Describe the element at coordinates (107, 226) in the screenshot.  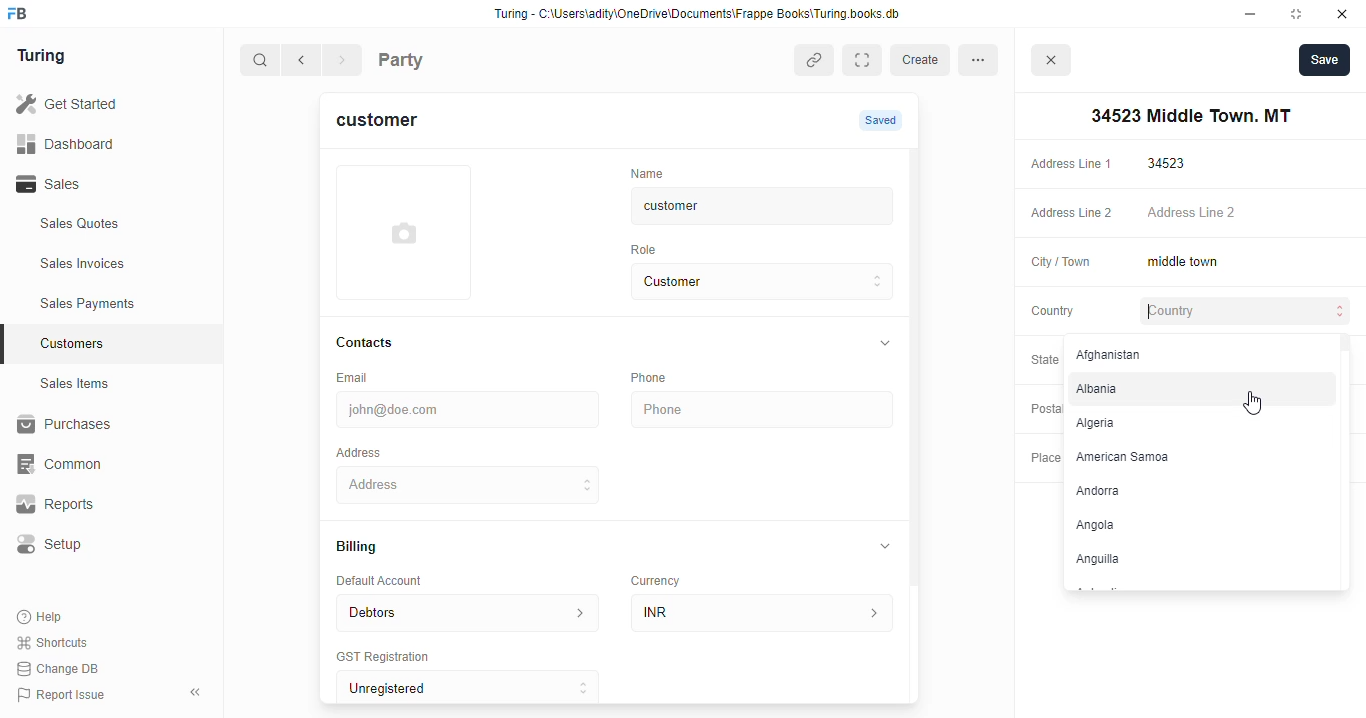
I see `Sales Quotes` at that location.